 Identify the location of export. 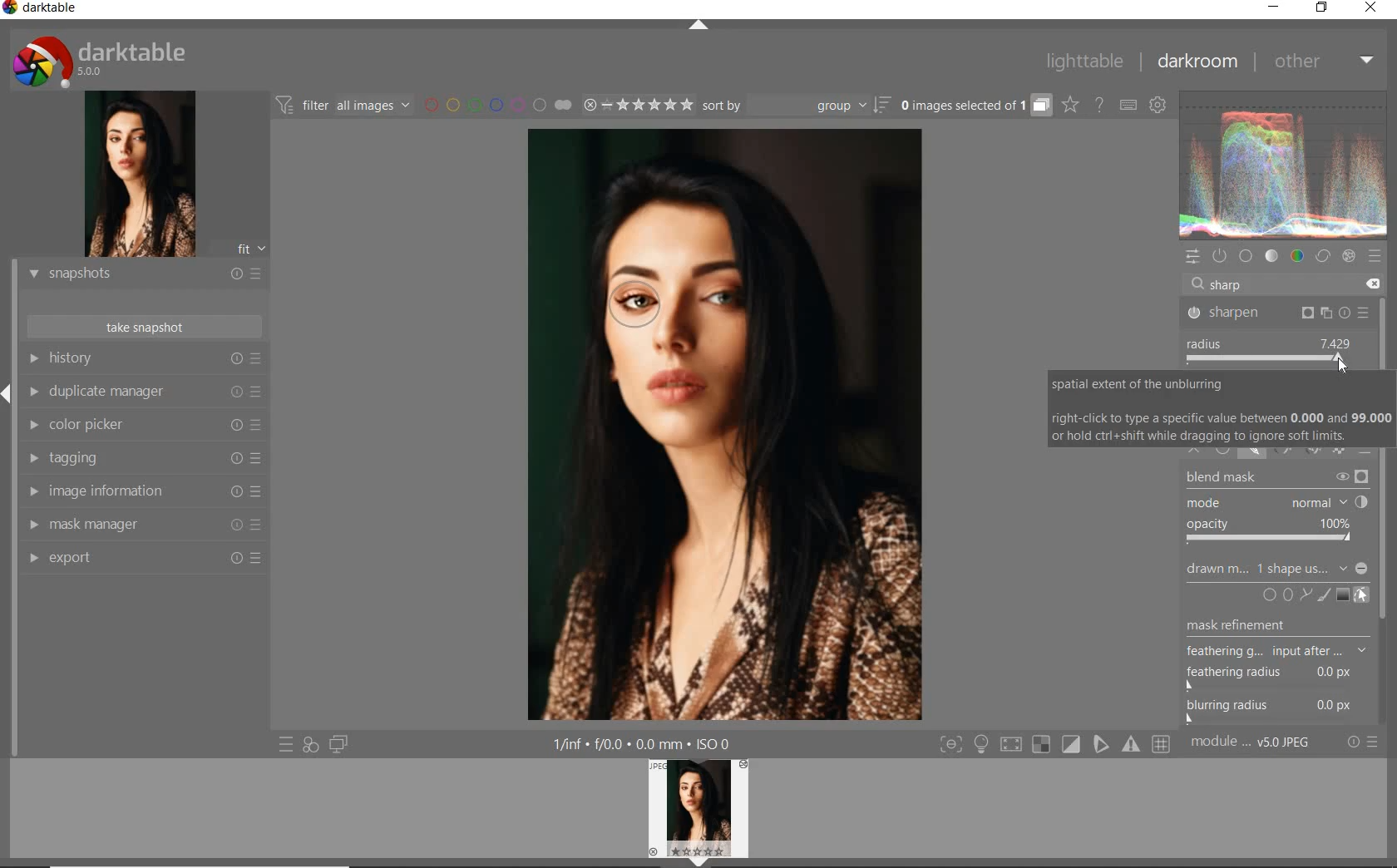
(143, 560).